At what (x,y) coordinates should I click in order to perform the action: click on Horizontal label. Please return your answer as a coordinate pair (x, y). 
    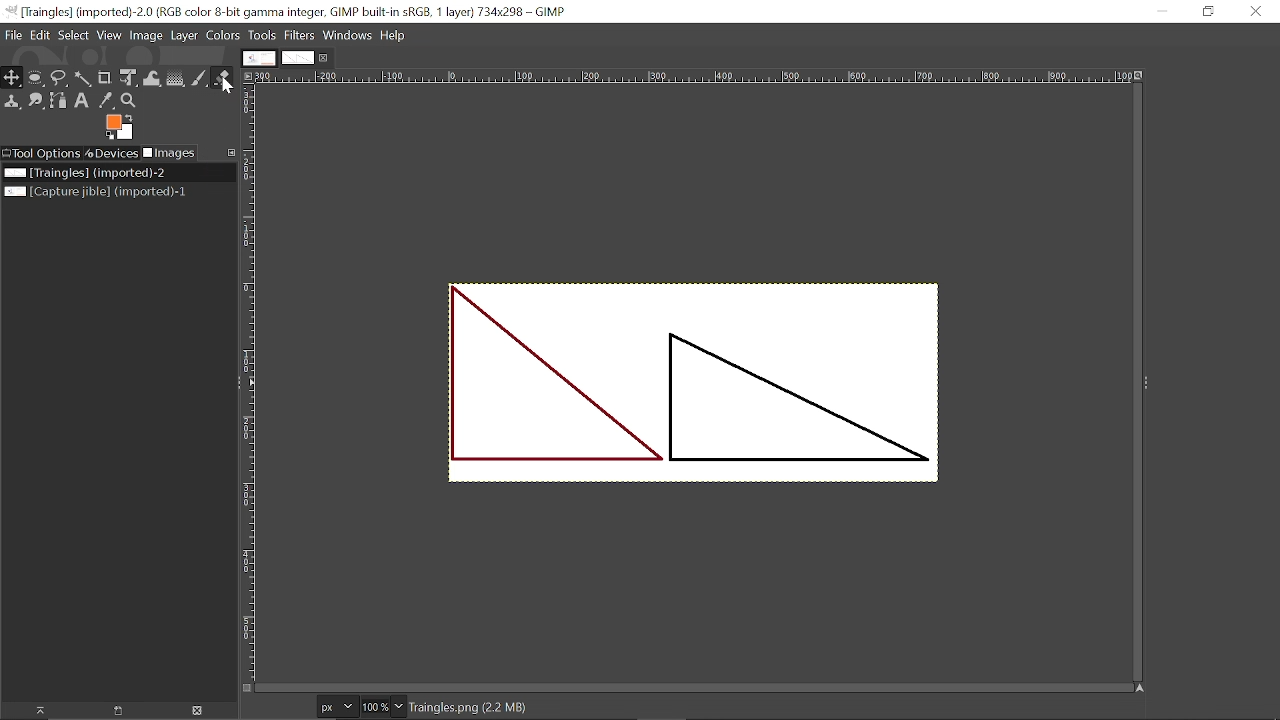
    Looking at the image, I should click on (696, 78).